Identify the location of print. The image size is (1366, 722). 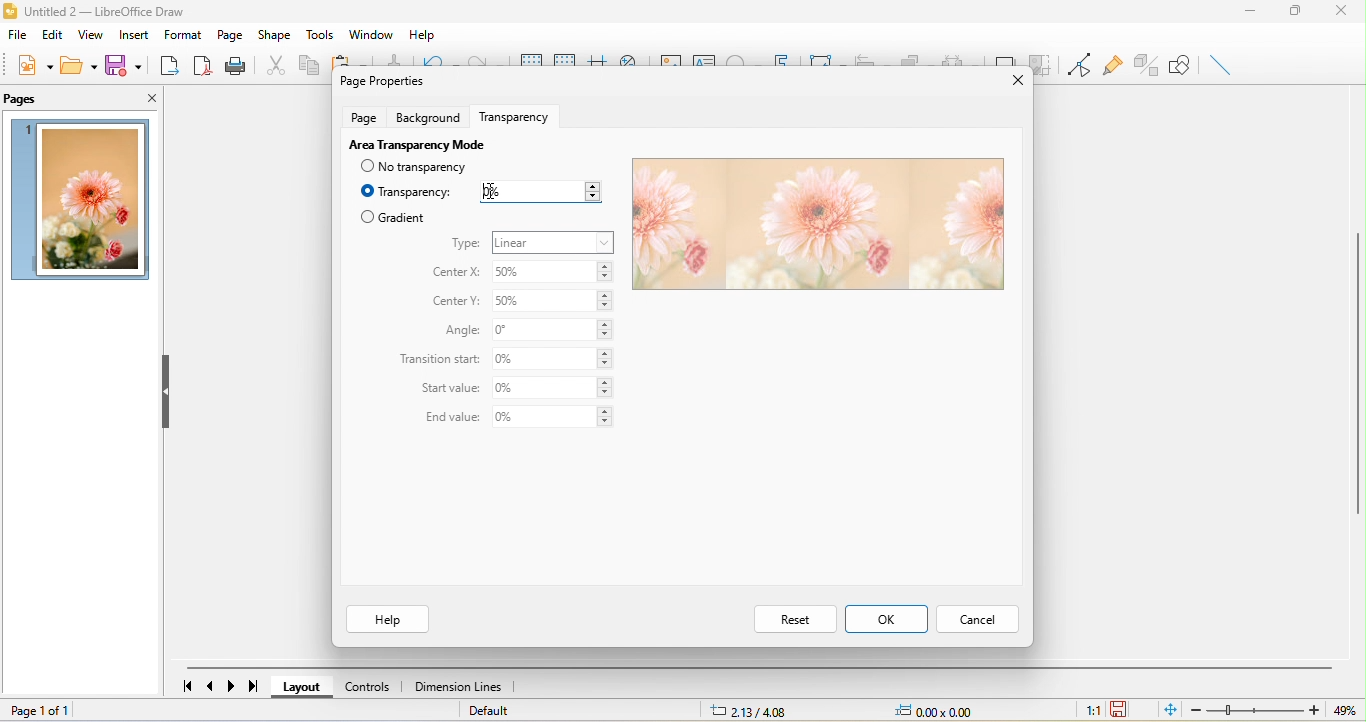
(235, 65).